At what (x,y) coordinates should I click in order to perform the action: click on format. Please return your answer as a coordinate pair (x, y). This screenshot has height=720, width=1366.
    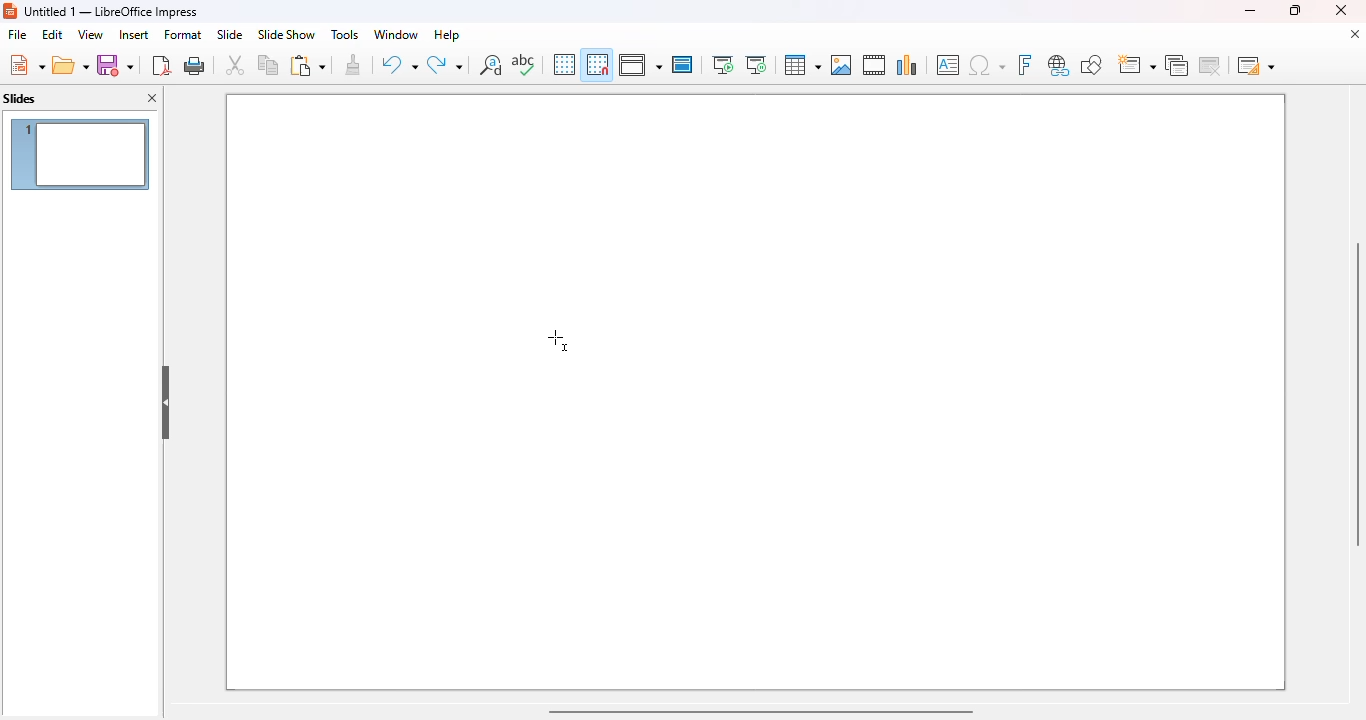
    Looking at the image, I should click on (183, 34).